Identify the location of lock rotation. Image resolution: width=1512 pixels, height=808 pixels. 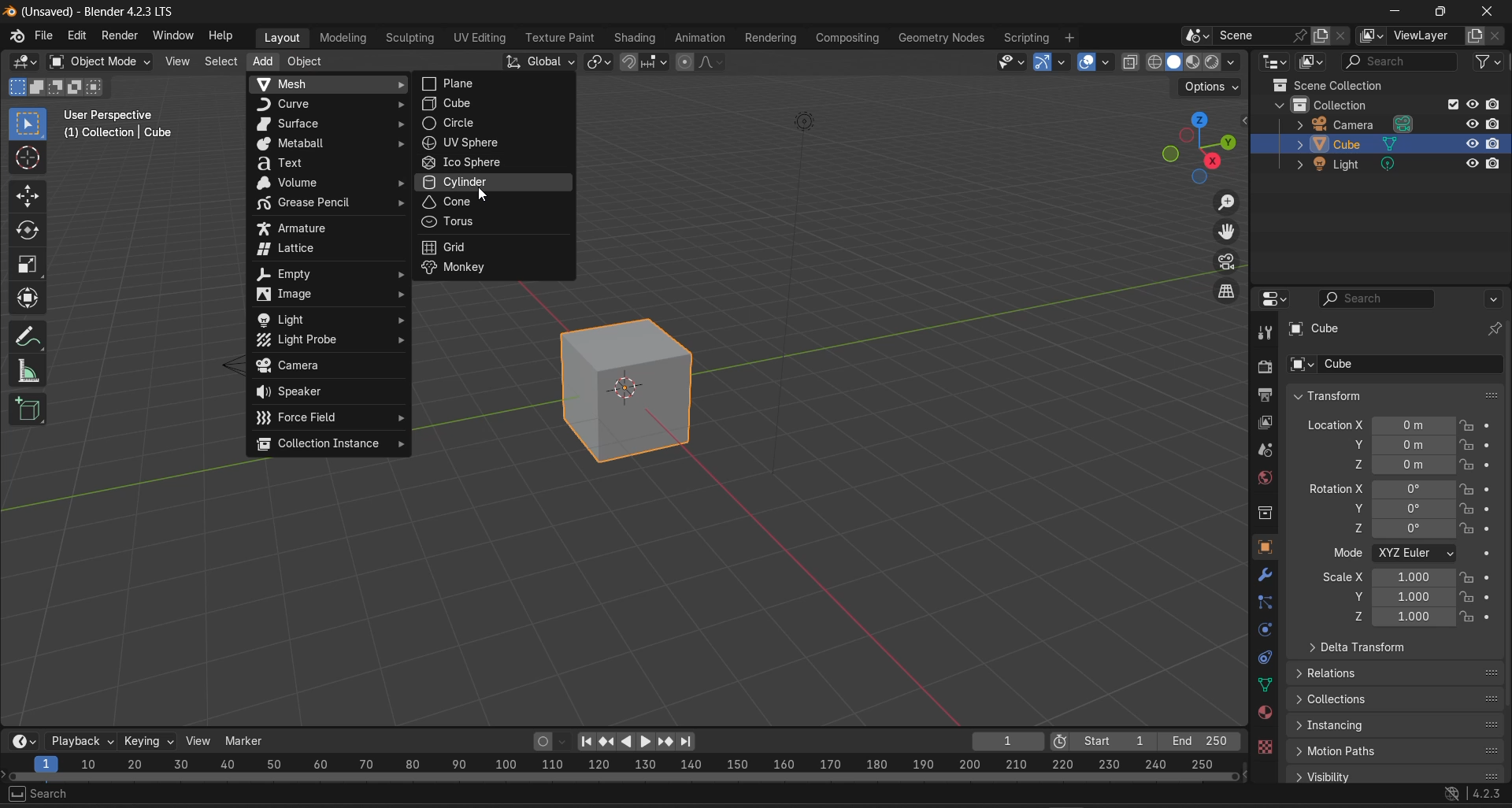
(1469, 528).